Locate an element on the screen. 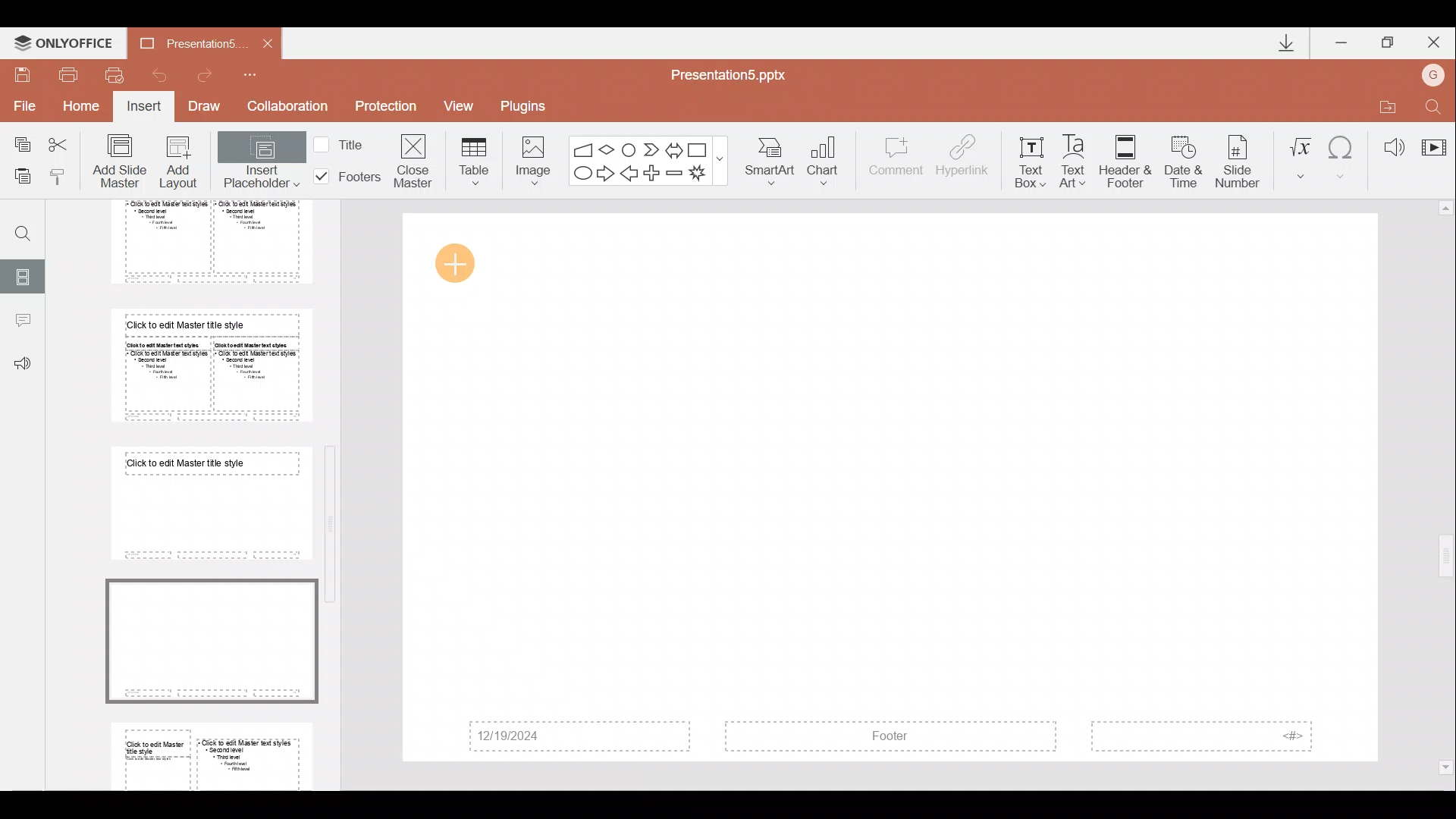 The image size is (1456, 819). Video is located at coordinates (1433, 140).